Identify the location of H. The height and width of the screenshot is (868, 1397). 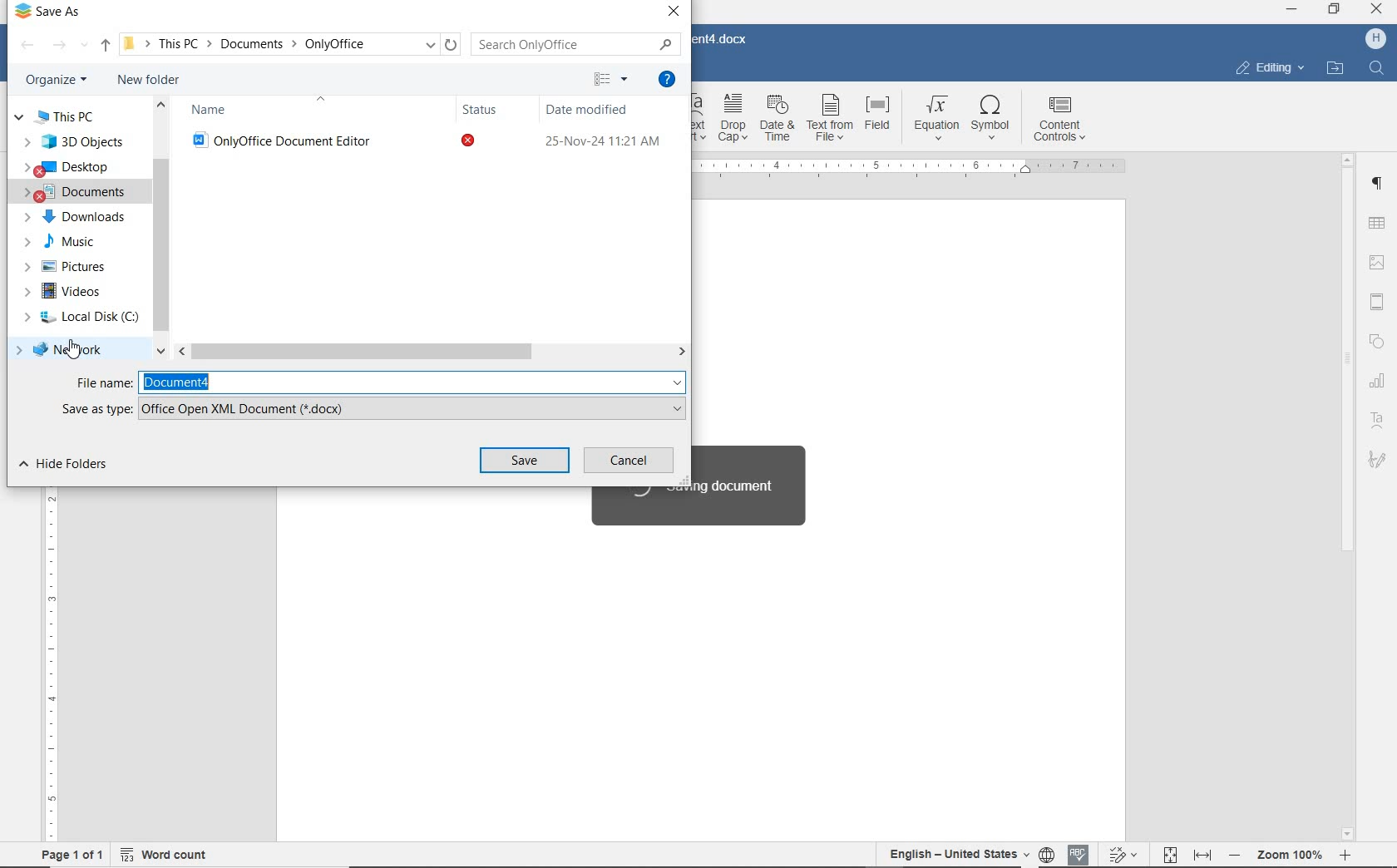
(1370, 40).